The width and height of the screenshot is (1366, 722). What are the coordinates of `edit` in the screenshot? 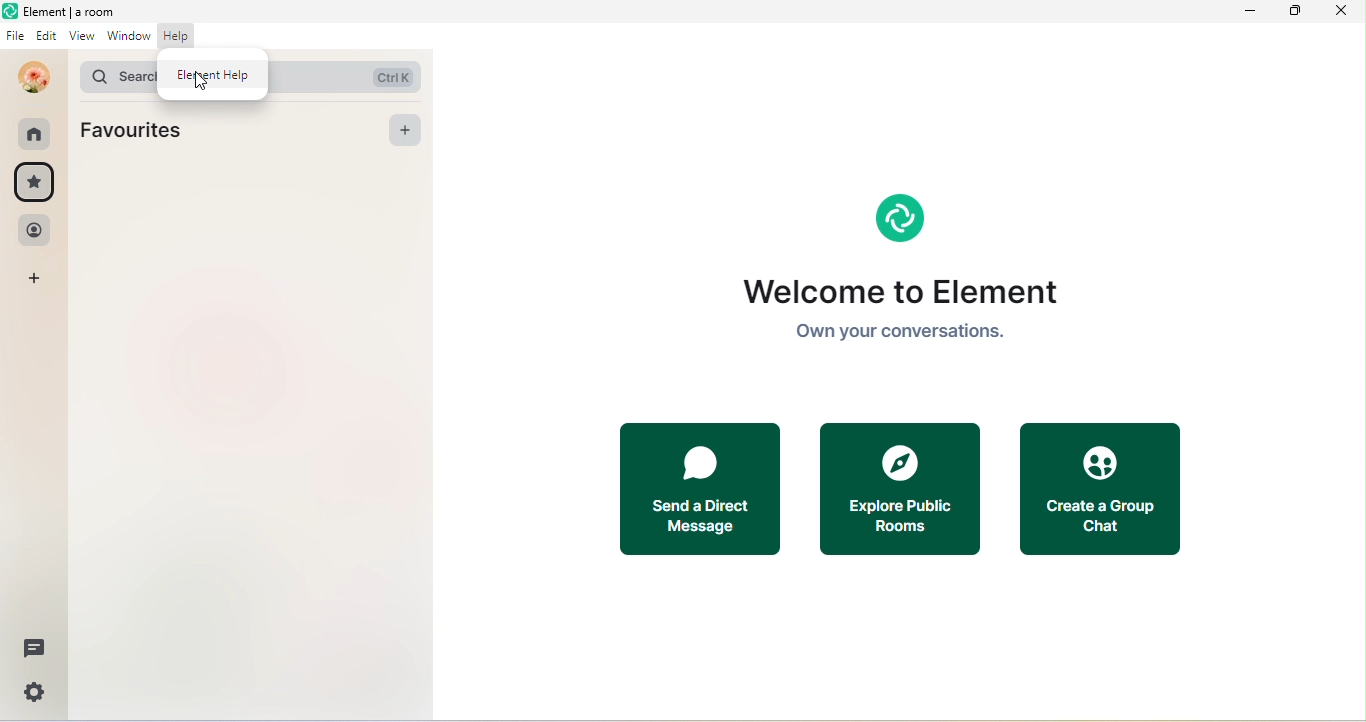 It's located at (47, 36).